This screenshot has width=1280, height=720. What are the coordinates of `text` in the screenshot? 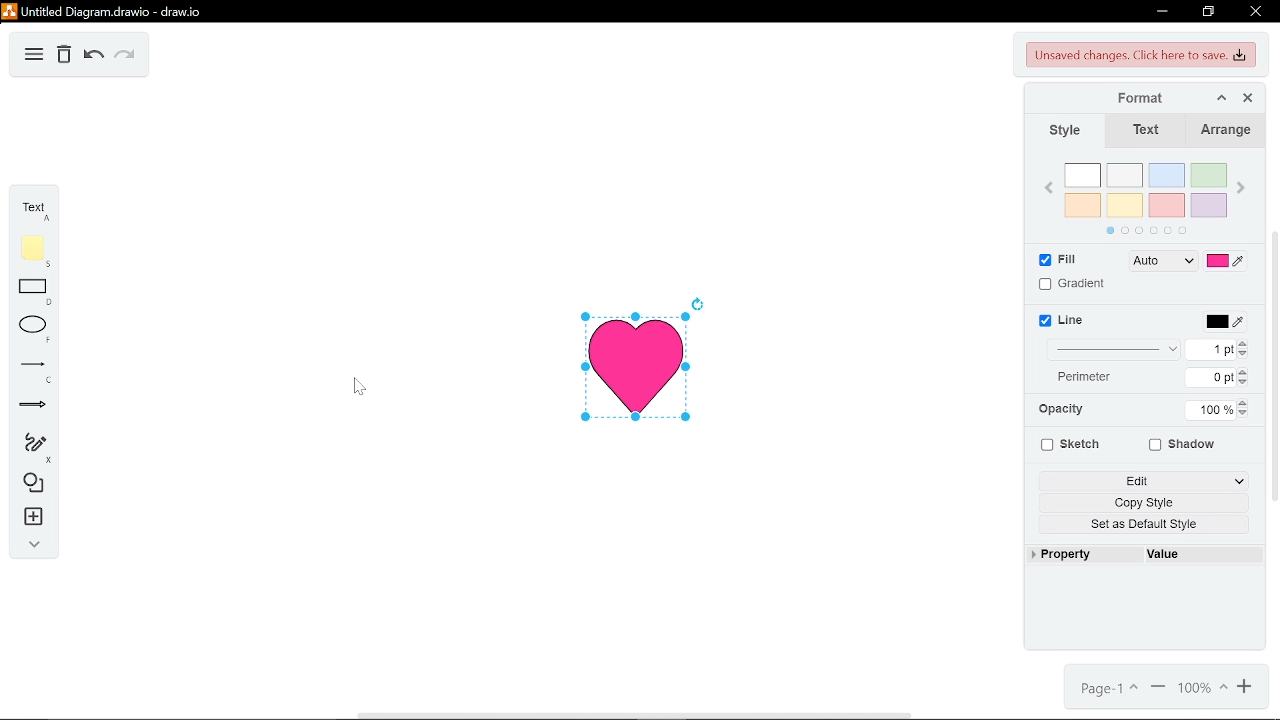 It's located at (1146, 132).